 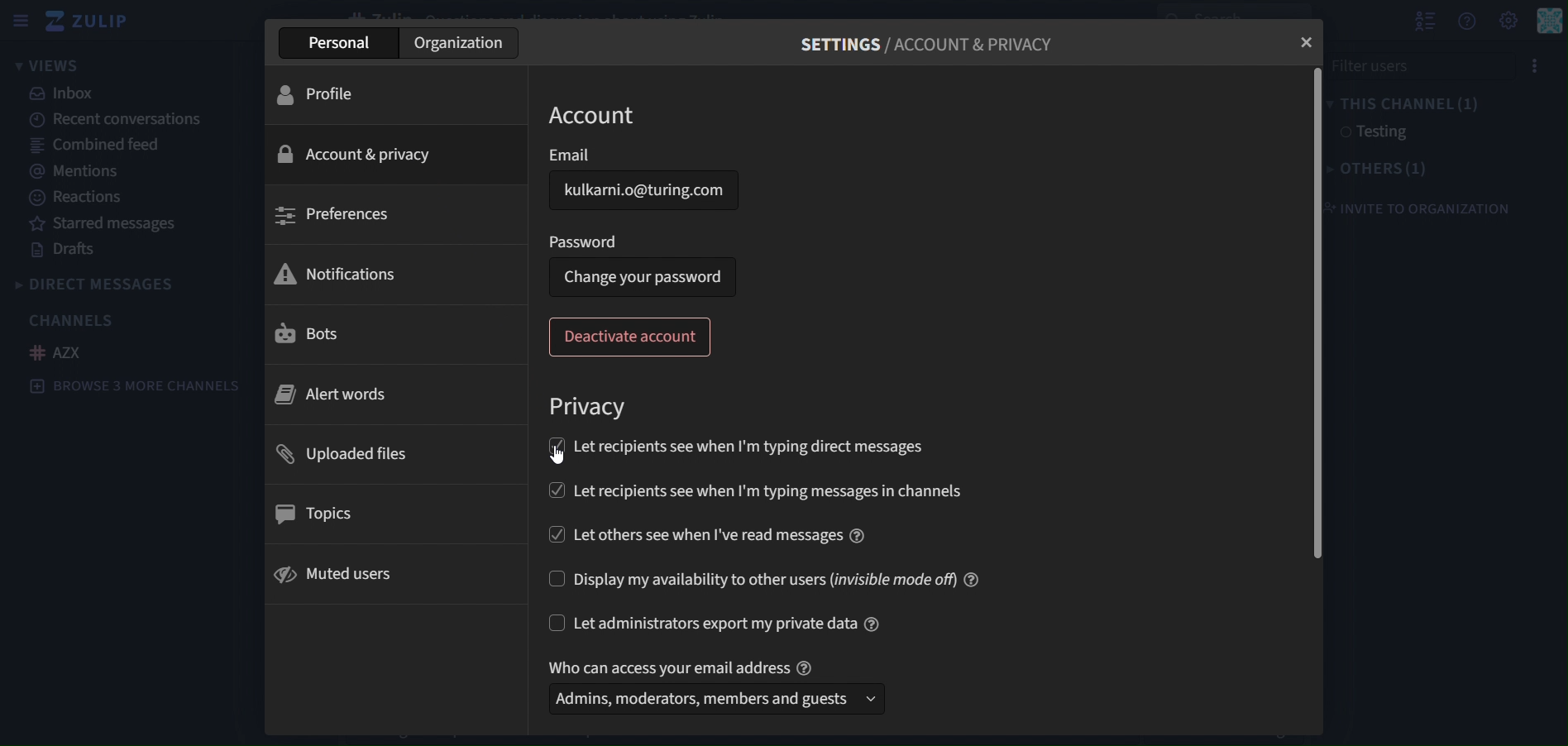 What do you see at coordinates (762, 576) in the screenshot?
I see `display my availability to other users ` at bounding box center [762, 576].